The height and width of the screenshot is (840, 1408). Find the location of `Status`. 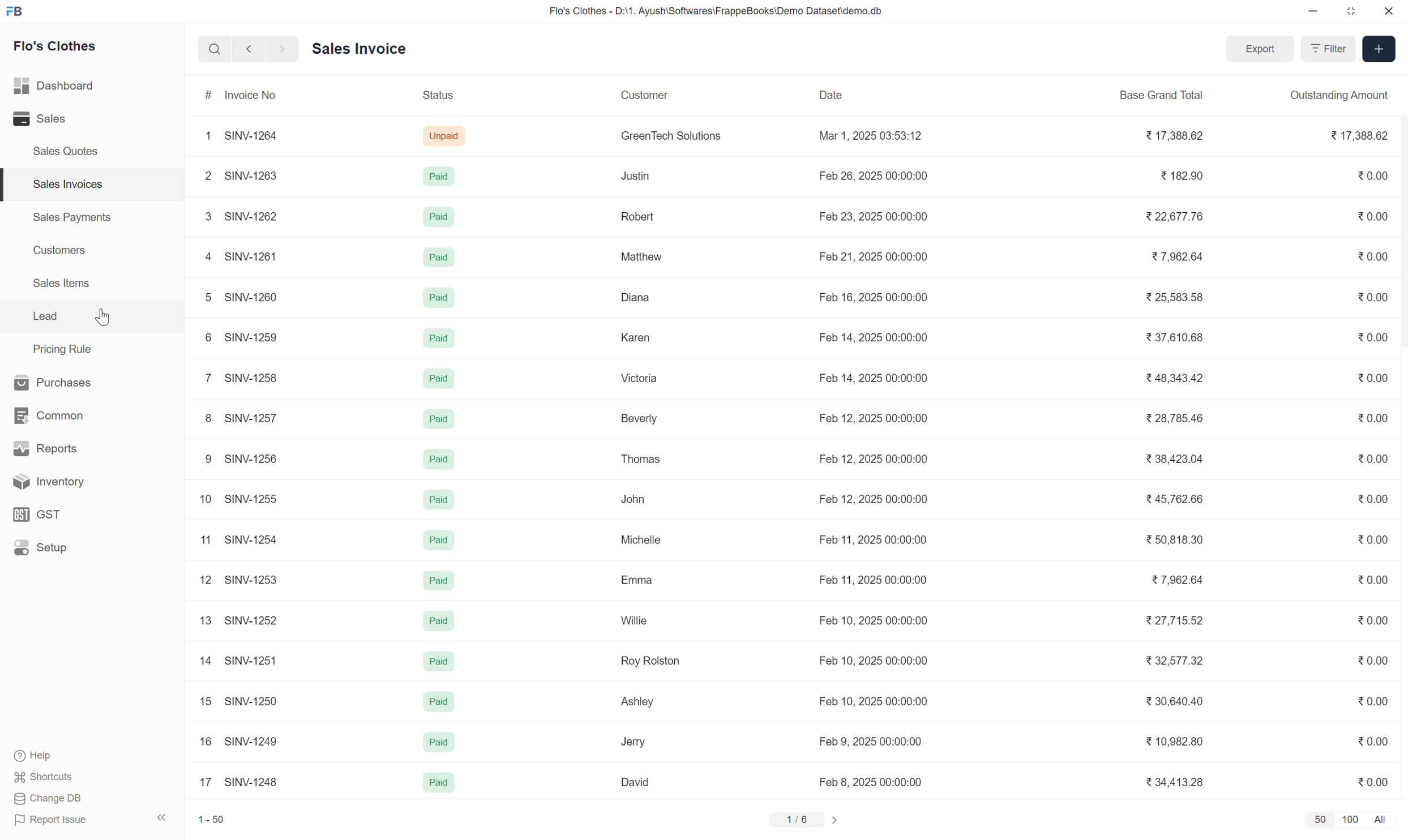

Status is located at coordinates (436, 95).